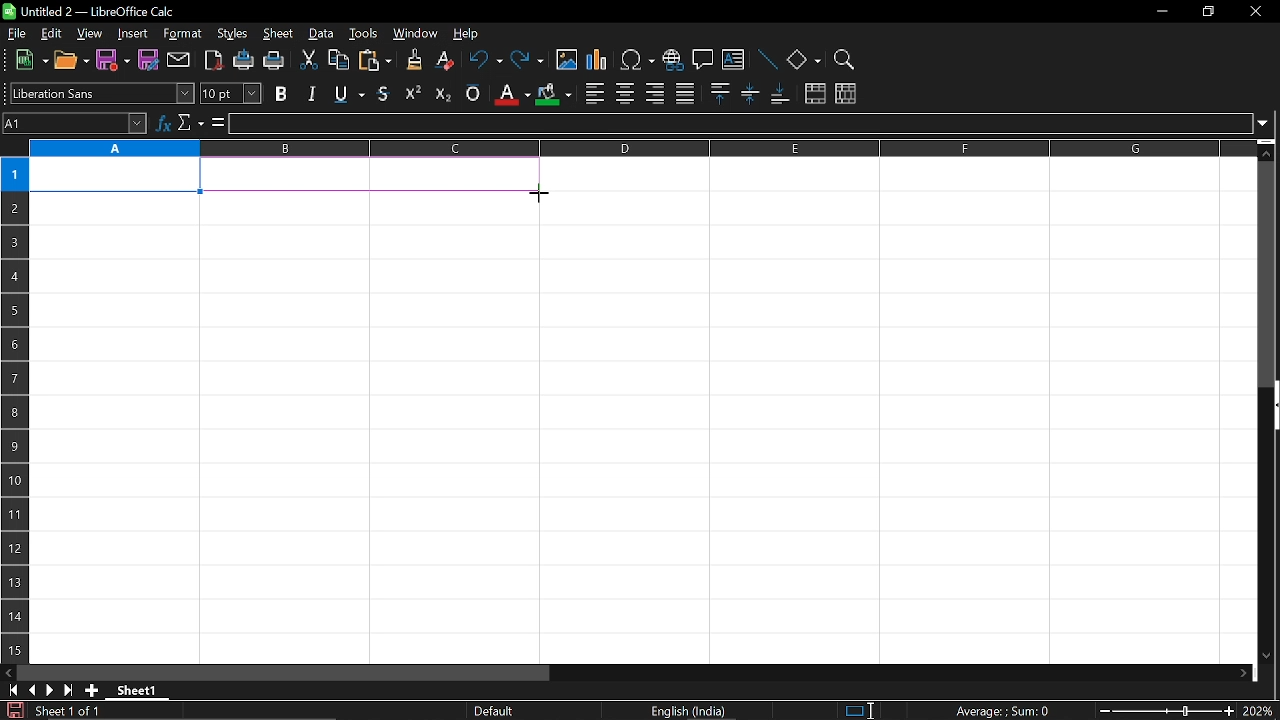  What do you see at coordinates (625, 93) in the screenshot?
I see `center` at bounding box center [625, 93].